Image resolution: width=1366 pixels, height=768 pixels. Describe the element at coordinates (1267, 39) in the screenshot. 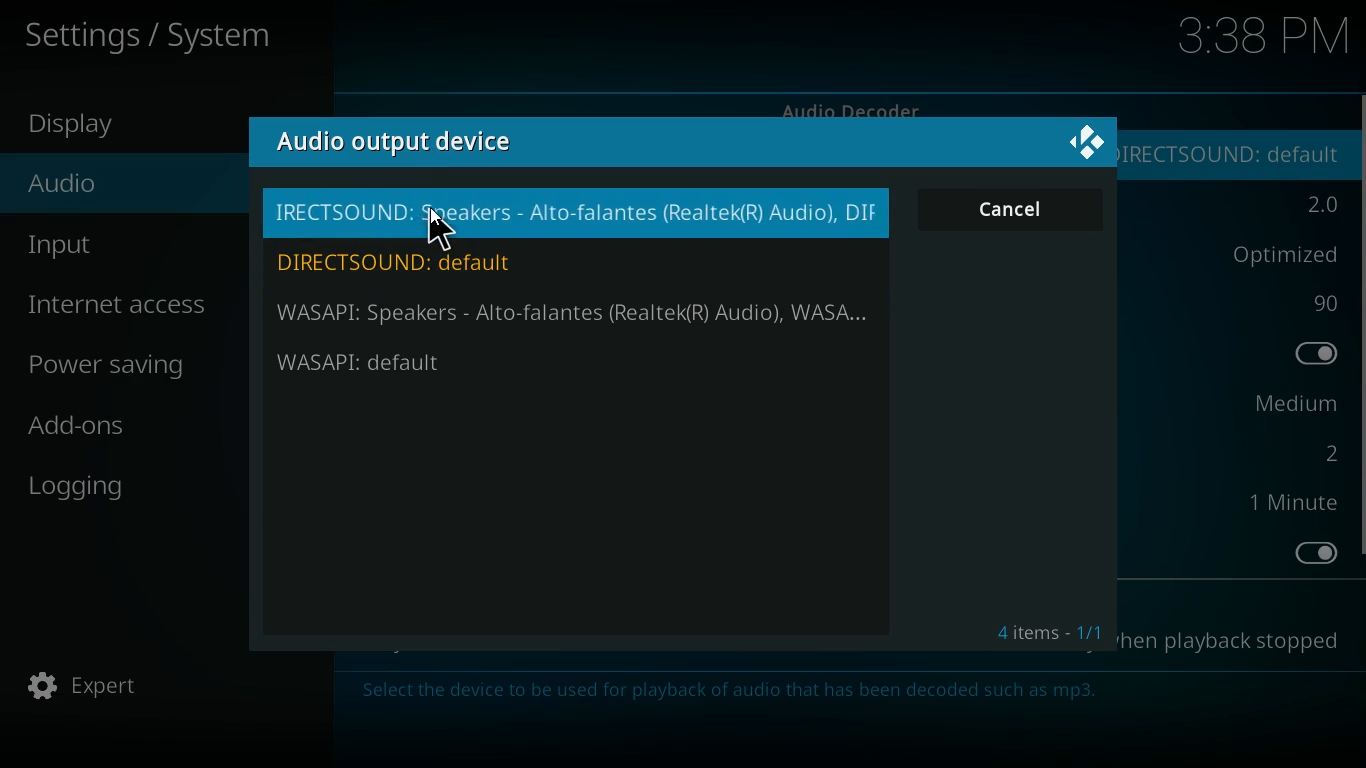

I see `3:38 Pm` at that location.